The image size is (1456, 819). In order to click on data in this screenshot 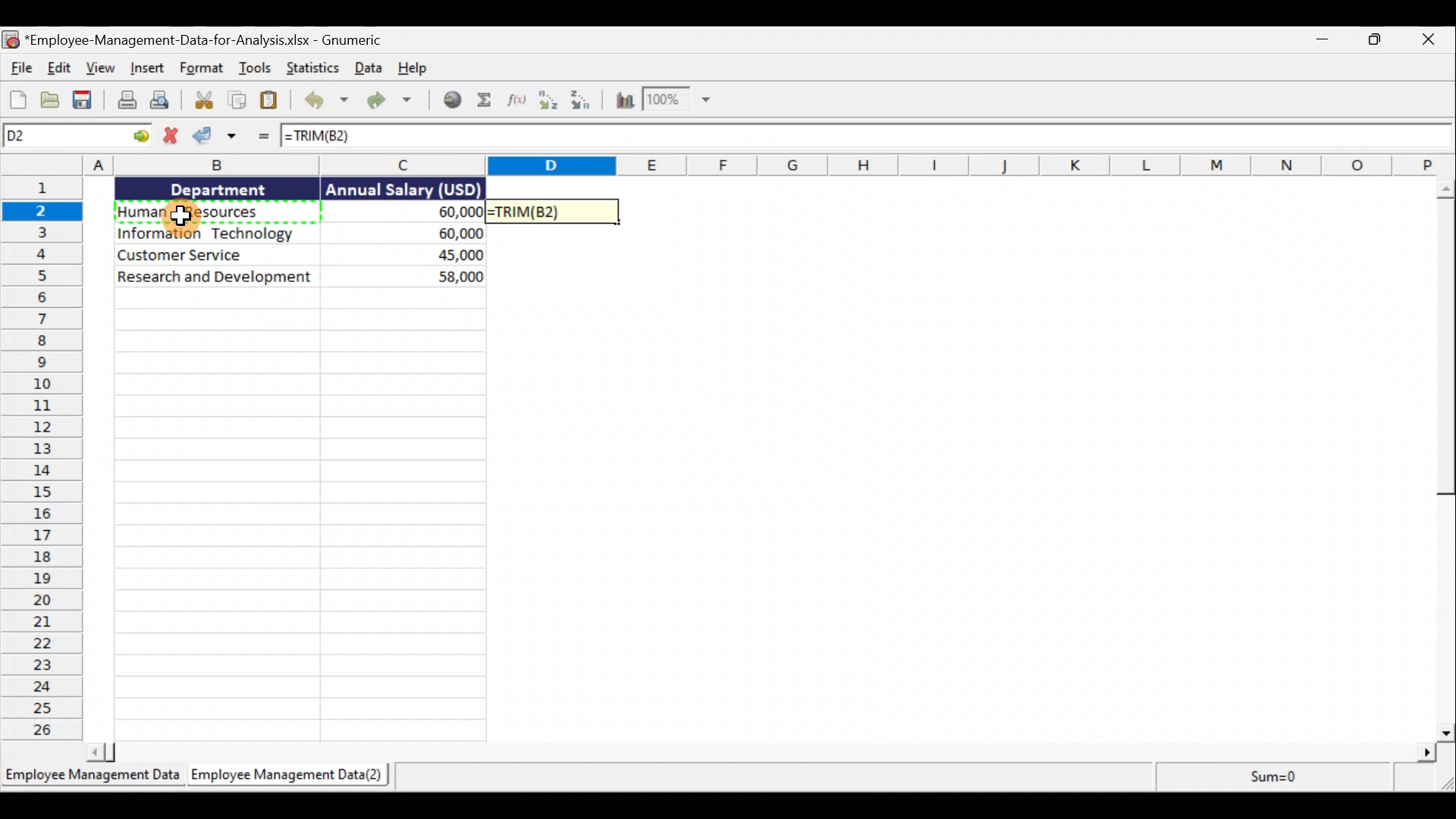, I will do `click(296, 236)`.